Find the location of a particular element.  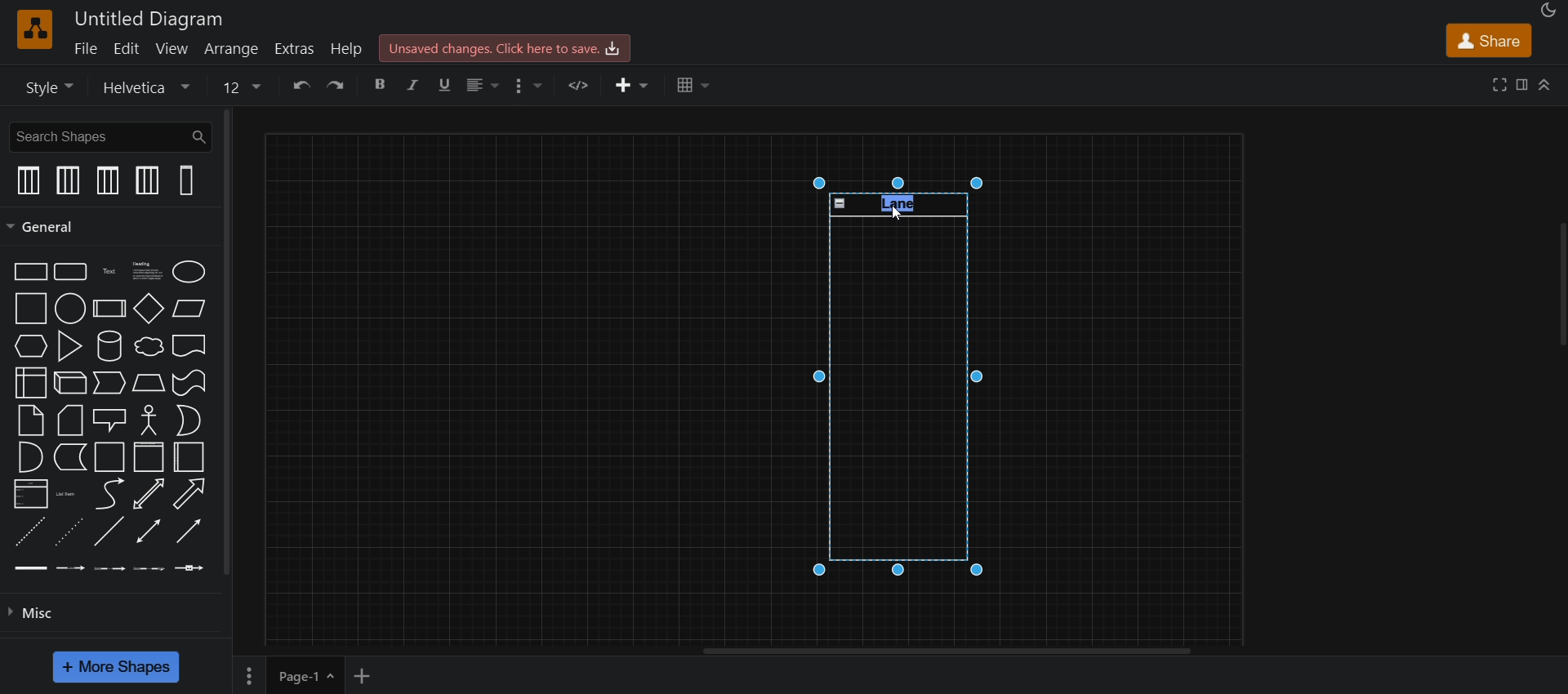

more shapes is located at coordinates (121, 665).